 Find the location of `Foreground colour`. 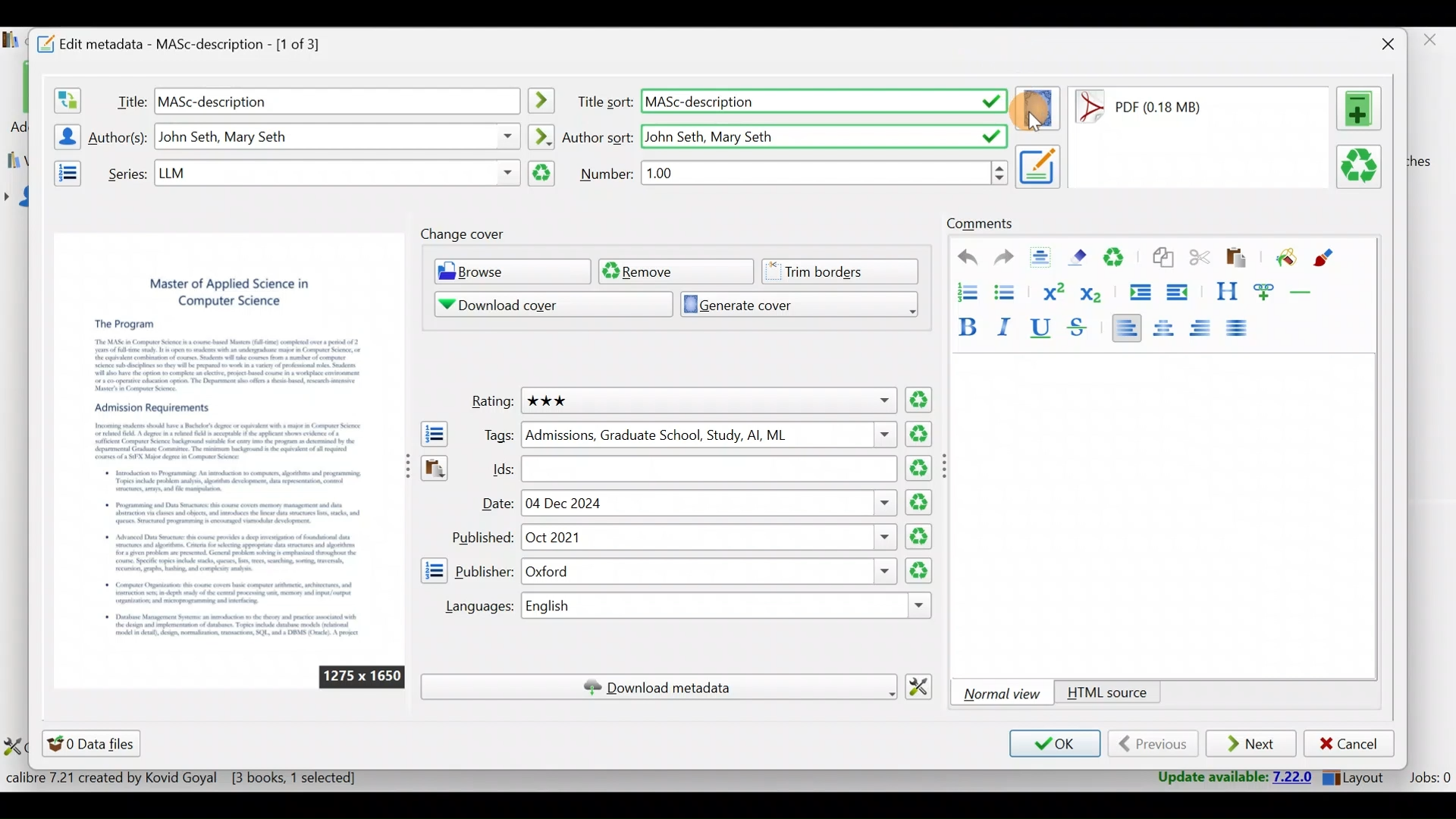

Foreground colour is located at coordinates (1326, 258).